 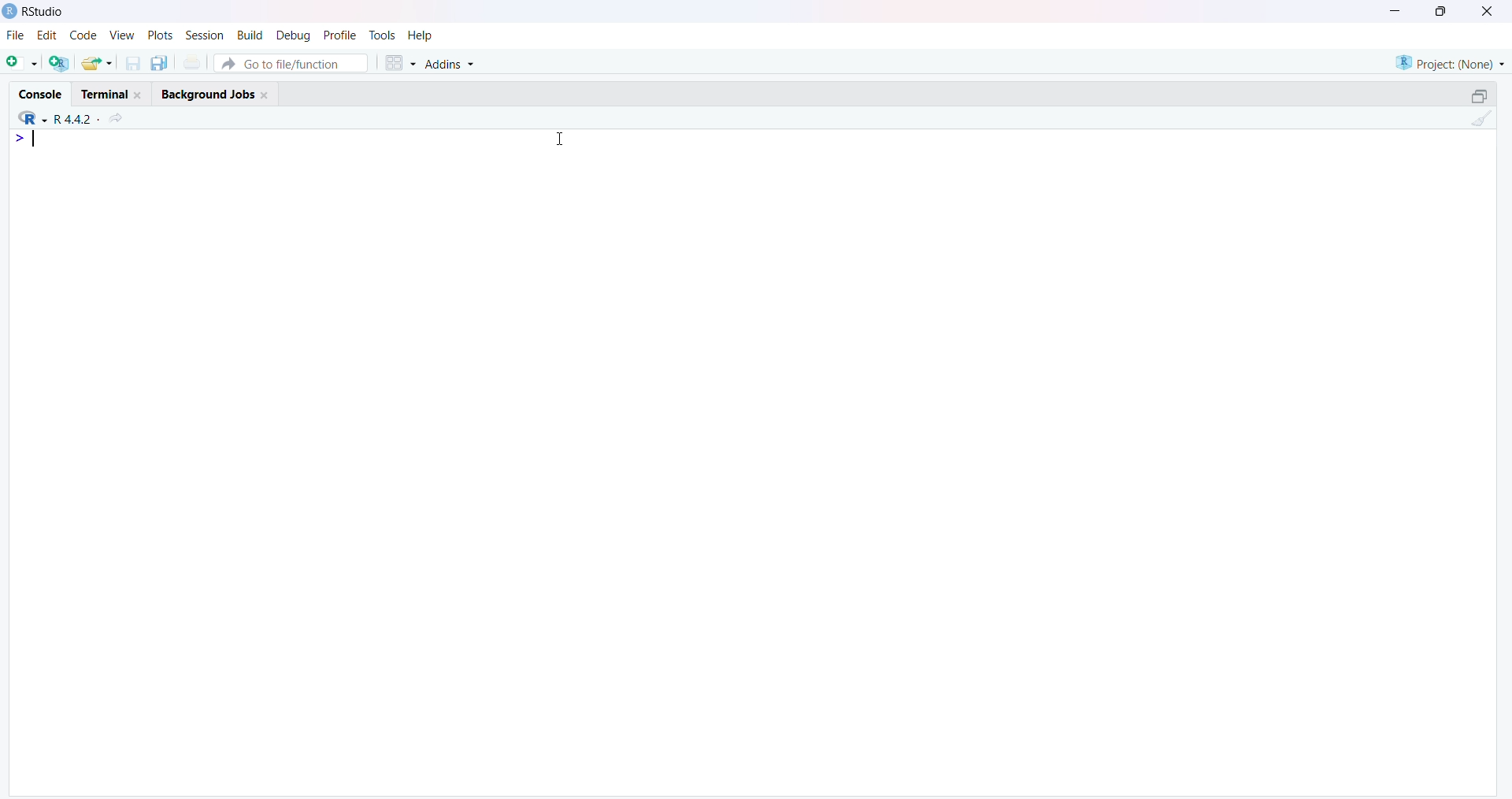 What do you see at coordinates (295, 61) in the screenshot?
I see `Go to file/function` at bounding box center [295, 61].